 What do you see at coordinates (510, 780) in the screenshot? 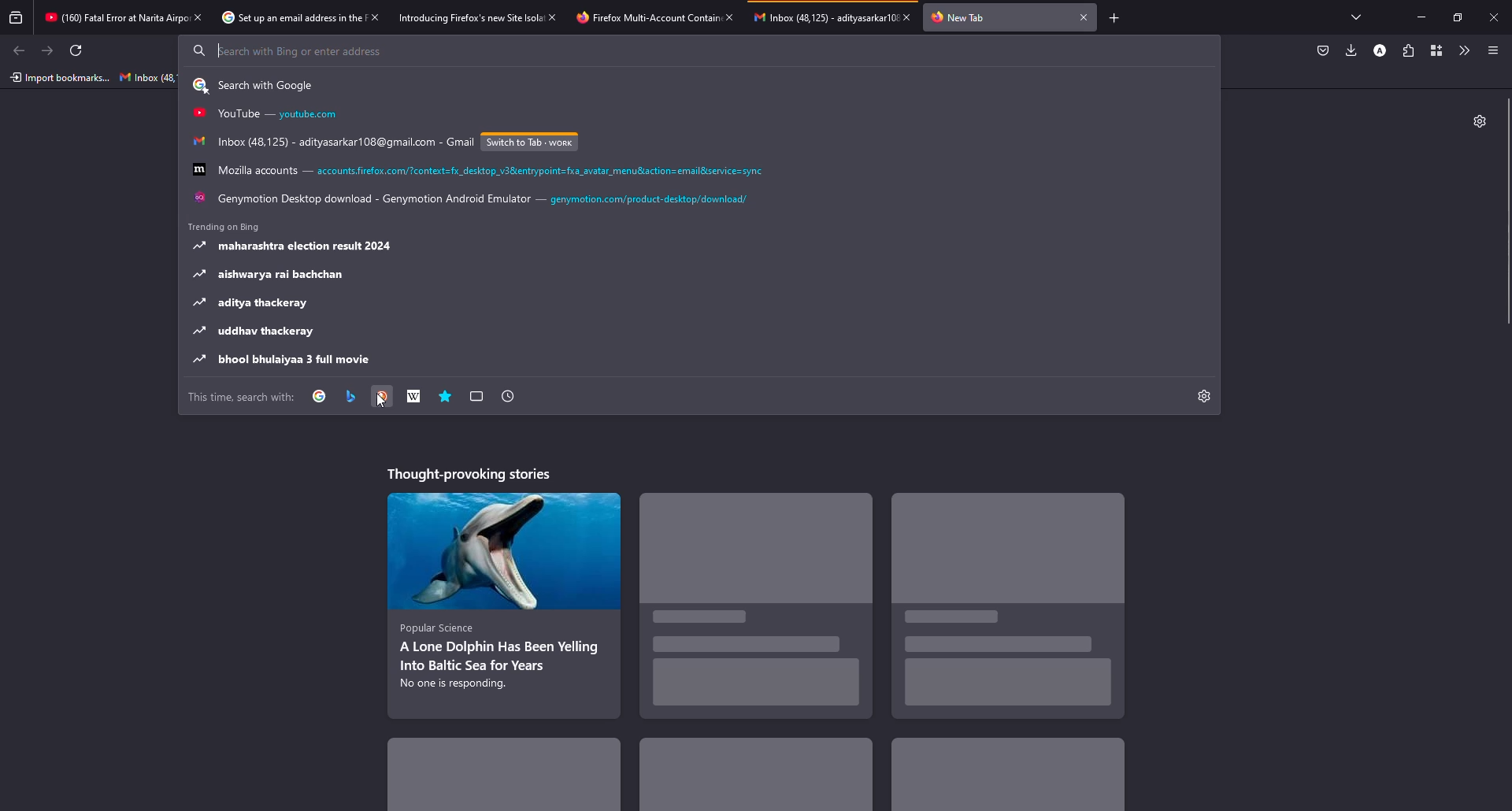
I see `stories` at bounding box center [510, 780].